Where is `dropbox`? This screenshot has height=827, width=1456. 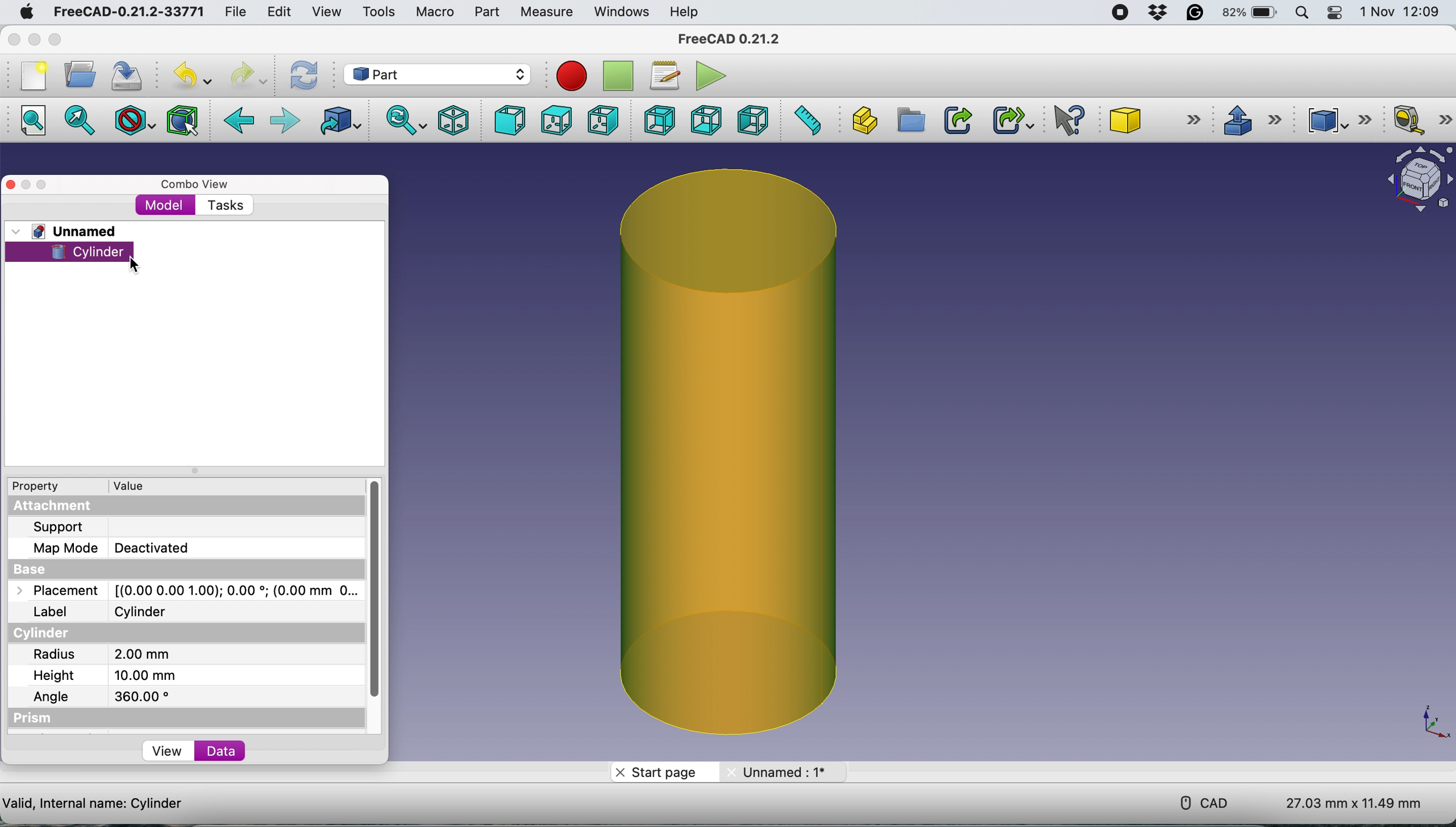
dropbox is located at coordinates (1158, 15).